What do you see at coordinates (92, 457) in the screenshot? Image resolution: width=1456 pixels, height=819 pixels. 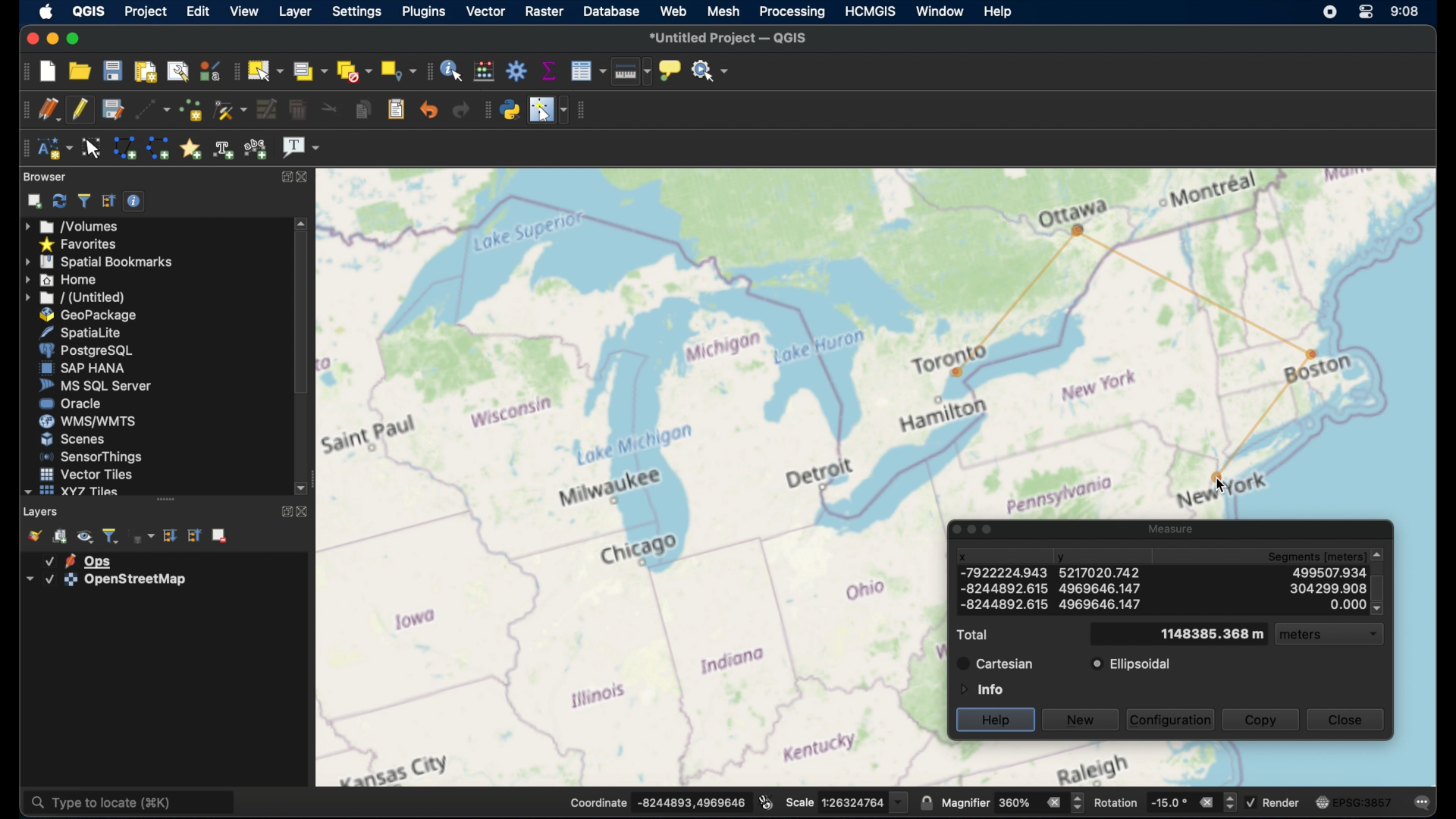 I see `sensorthings` at bounding box center [92, 457].